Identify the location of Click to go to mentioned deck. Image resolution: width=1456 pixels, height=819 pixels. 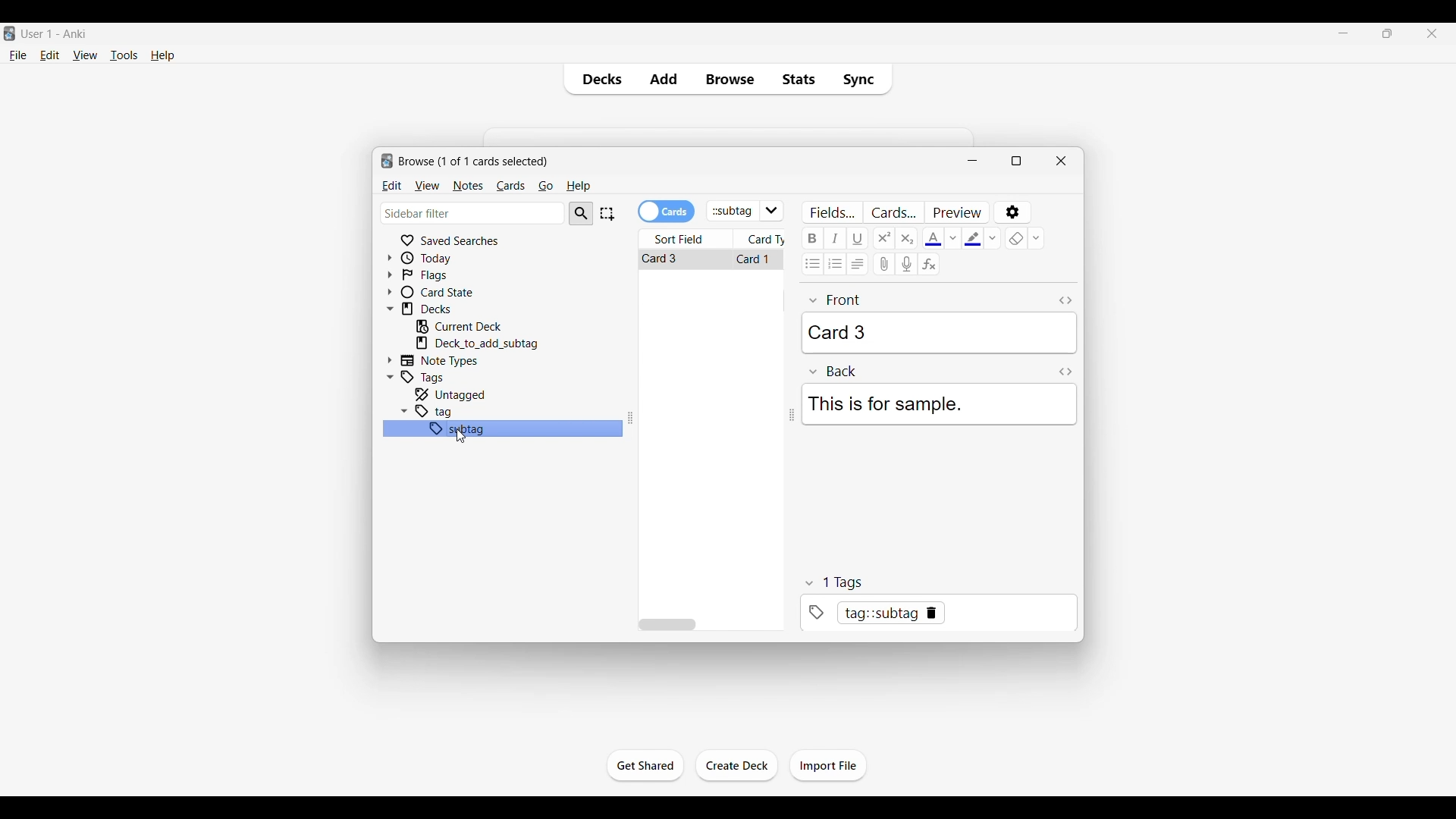
(476, 344).